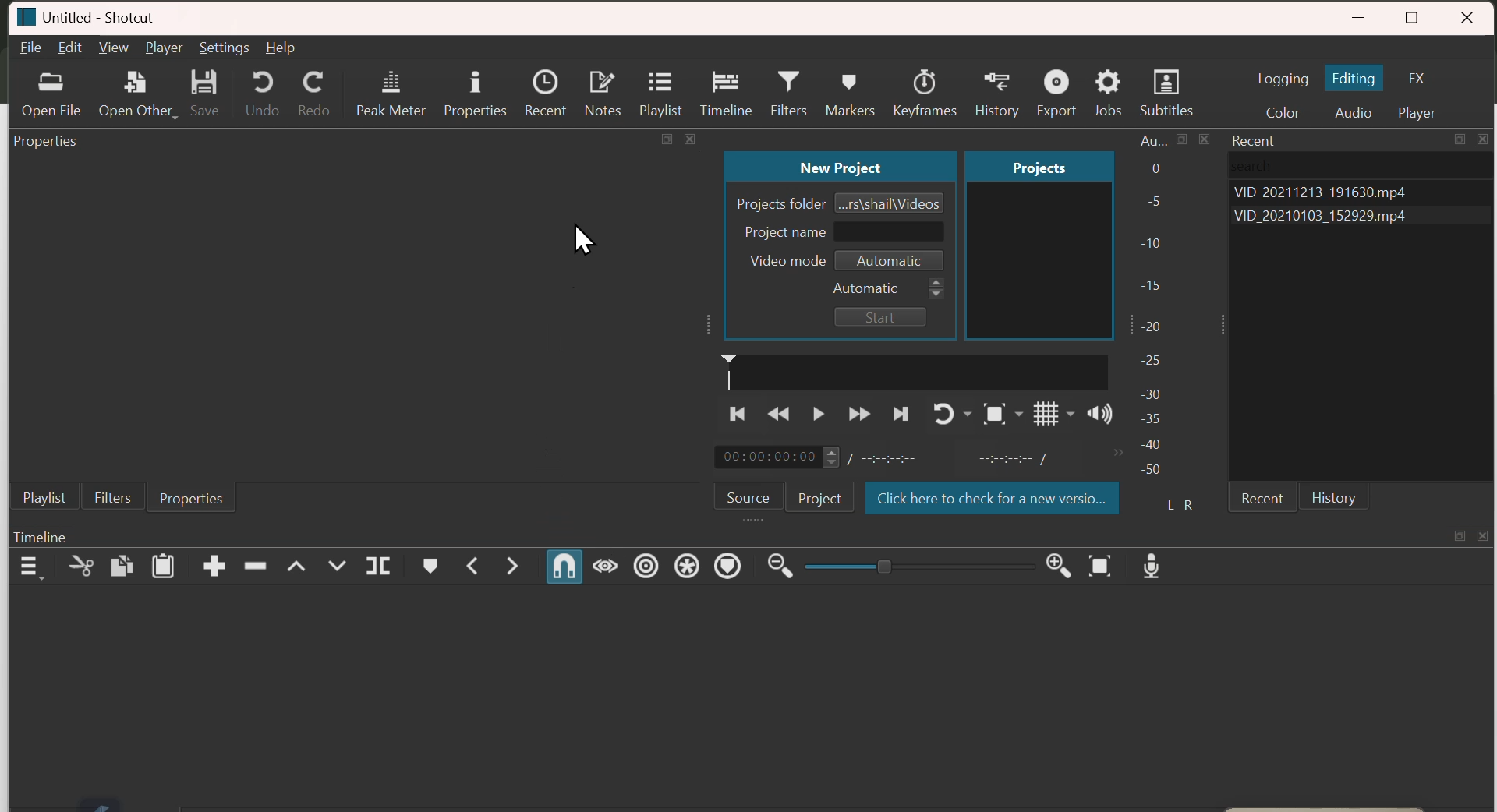 The width and height of the screenshot is (1497, 812). What do you see at coordinates (606, 565) in the screenshot?
I see `Scrub while dragging` at bounding box center [606, 565].